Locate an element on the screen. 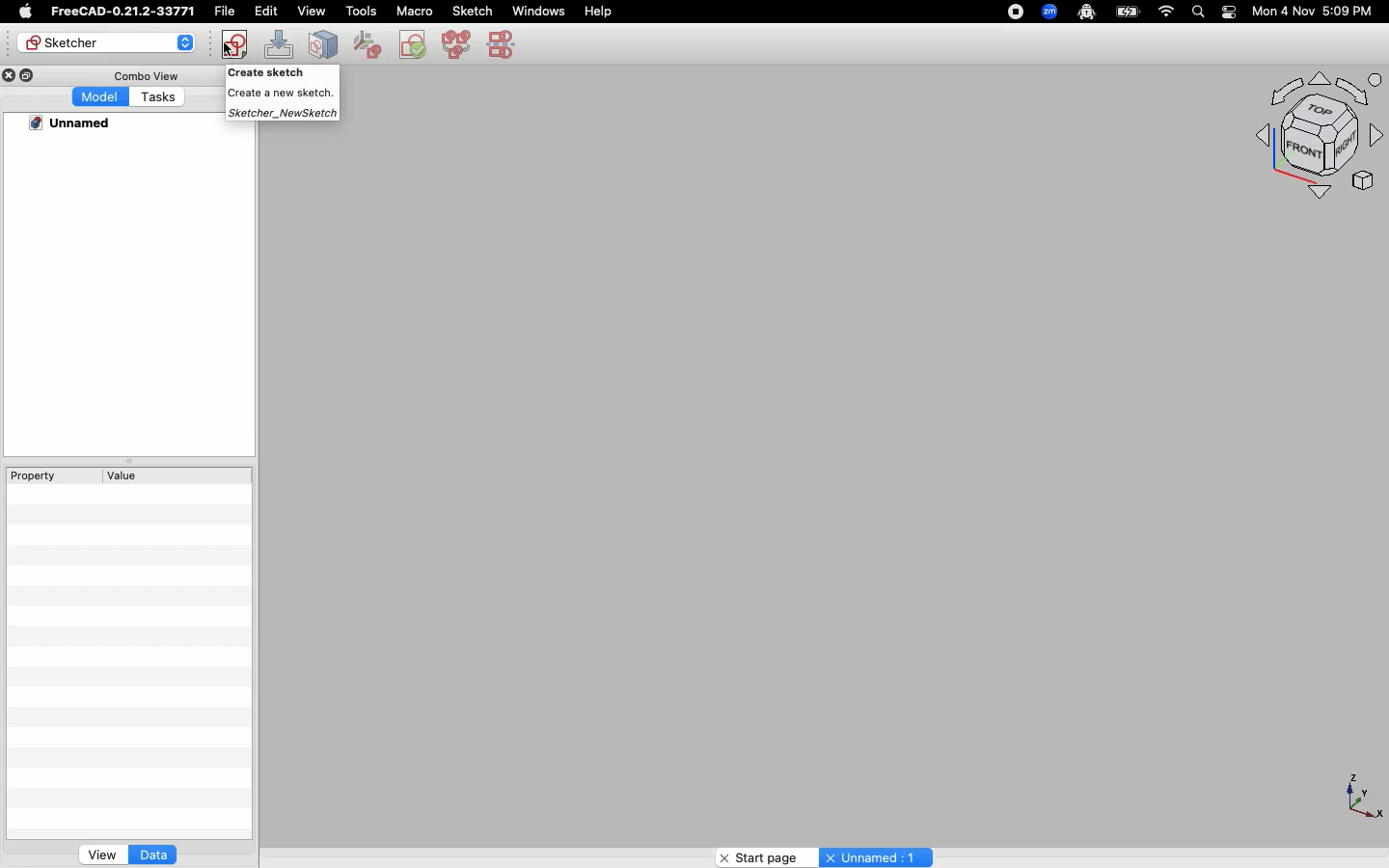 The image size is (1389, 868). Record is located at coordinates (1011, 11).